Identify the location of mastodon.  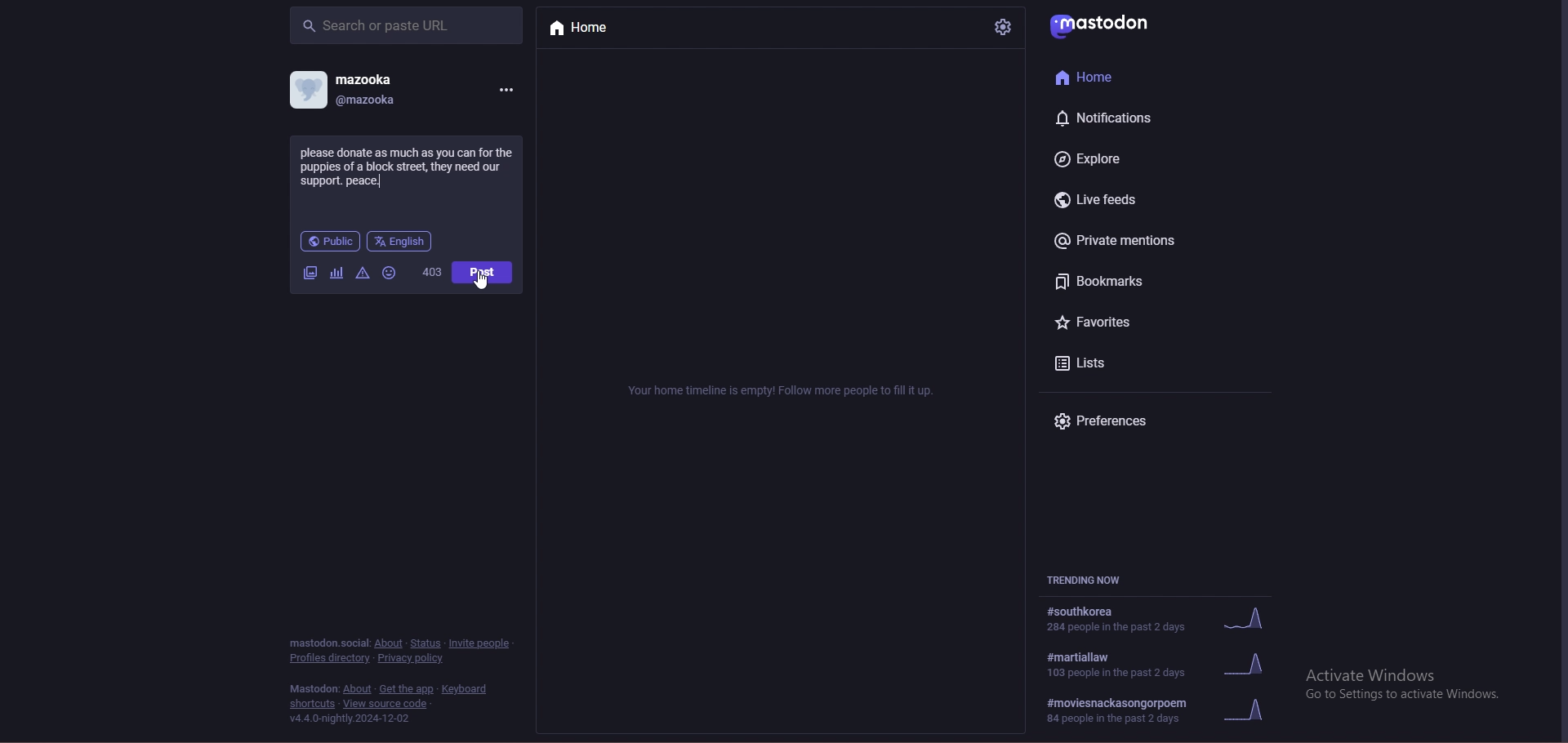
(310, 689).